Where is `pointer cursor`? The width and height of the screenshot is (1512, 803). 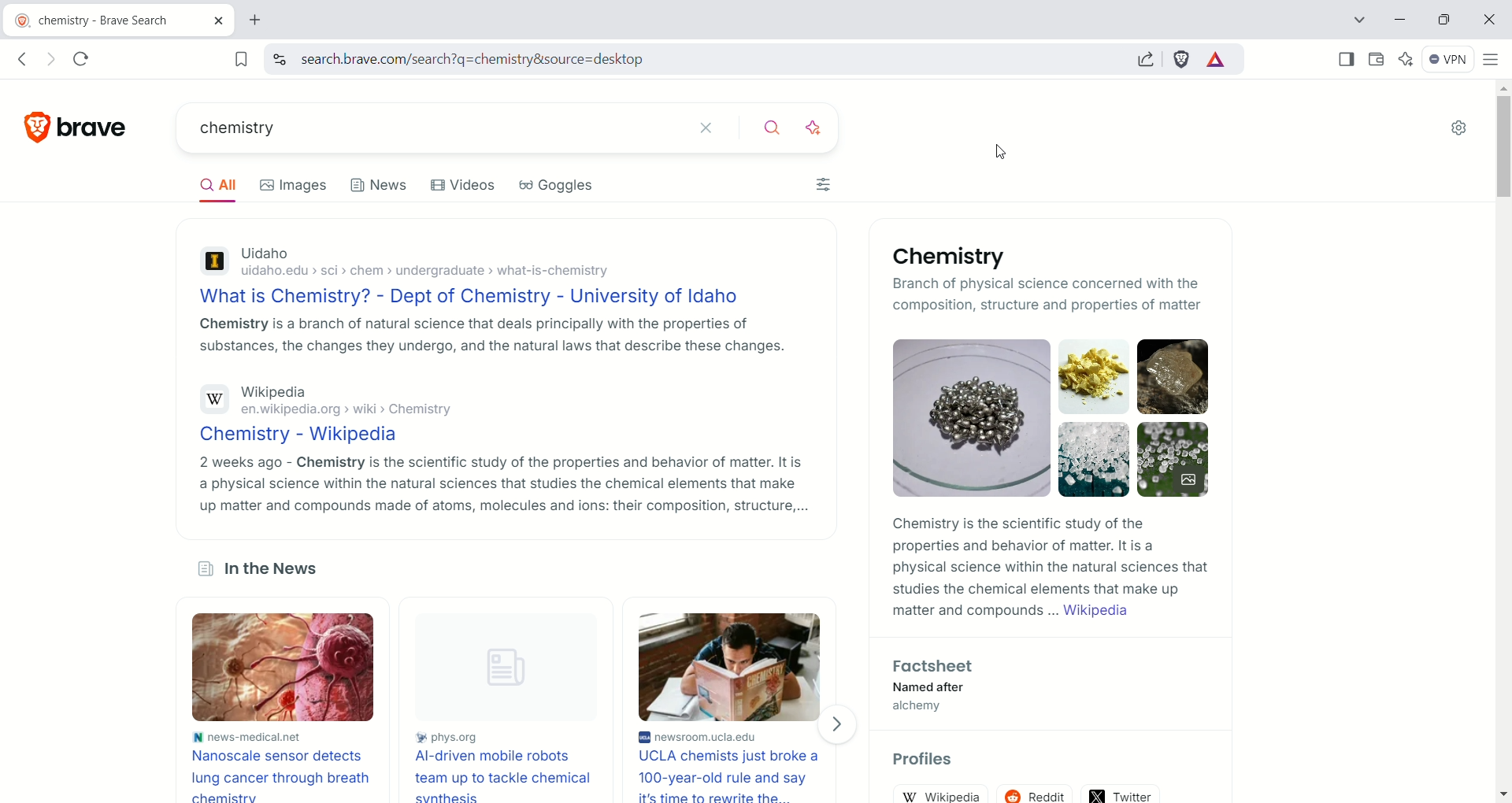
pointer cursor is located at coordinates (999, 146).